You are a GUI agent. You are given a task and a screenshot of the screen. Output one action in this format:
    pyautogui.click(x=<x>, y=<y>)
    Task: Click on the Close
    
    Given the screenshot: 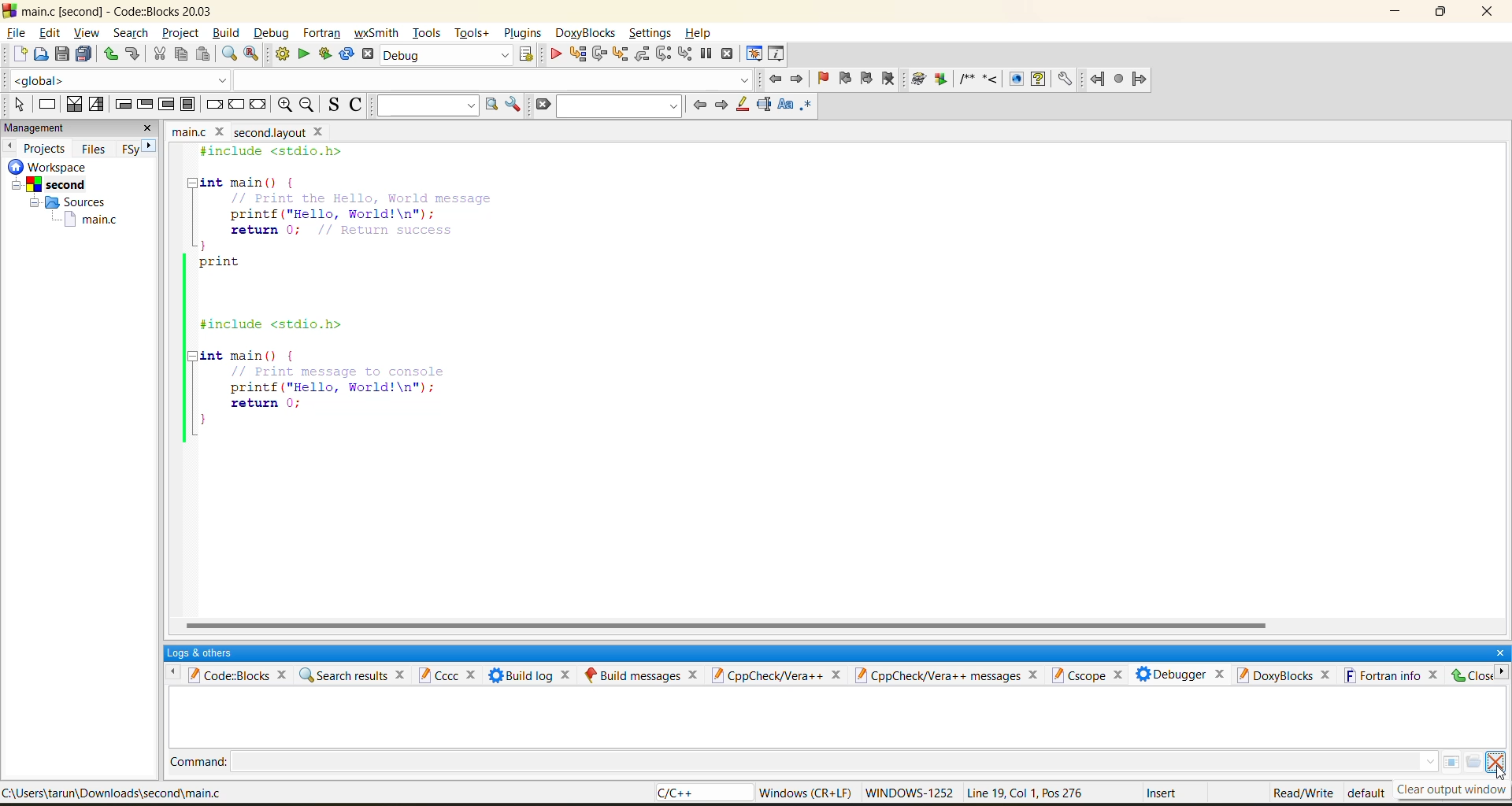 What is the action you would take?
    pyautogui.click(x=1473, y=675)
    